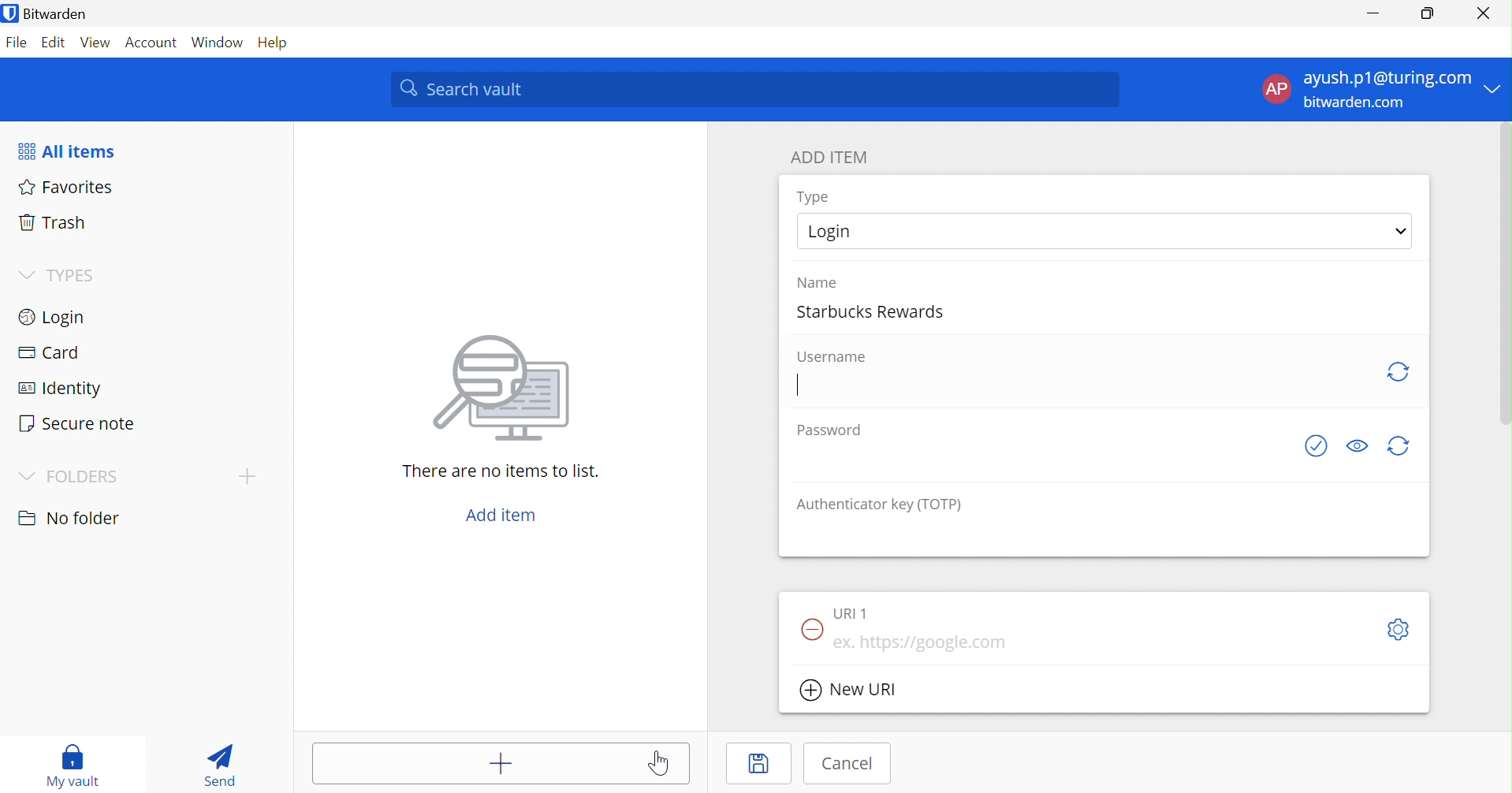  What do you see at coordinates (154, 43) in the screenshot?
I see `Account` at bounding box center [154, 43].